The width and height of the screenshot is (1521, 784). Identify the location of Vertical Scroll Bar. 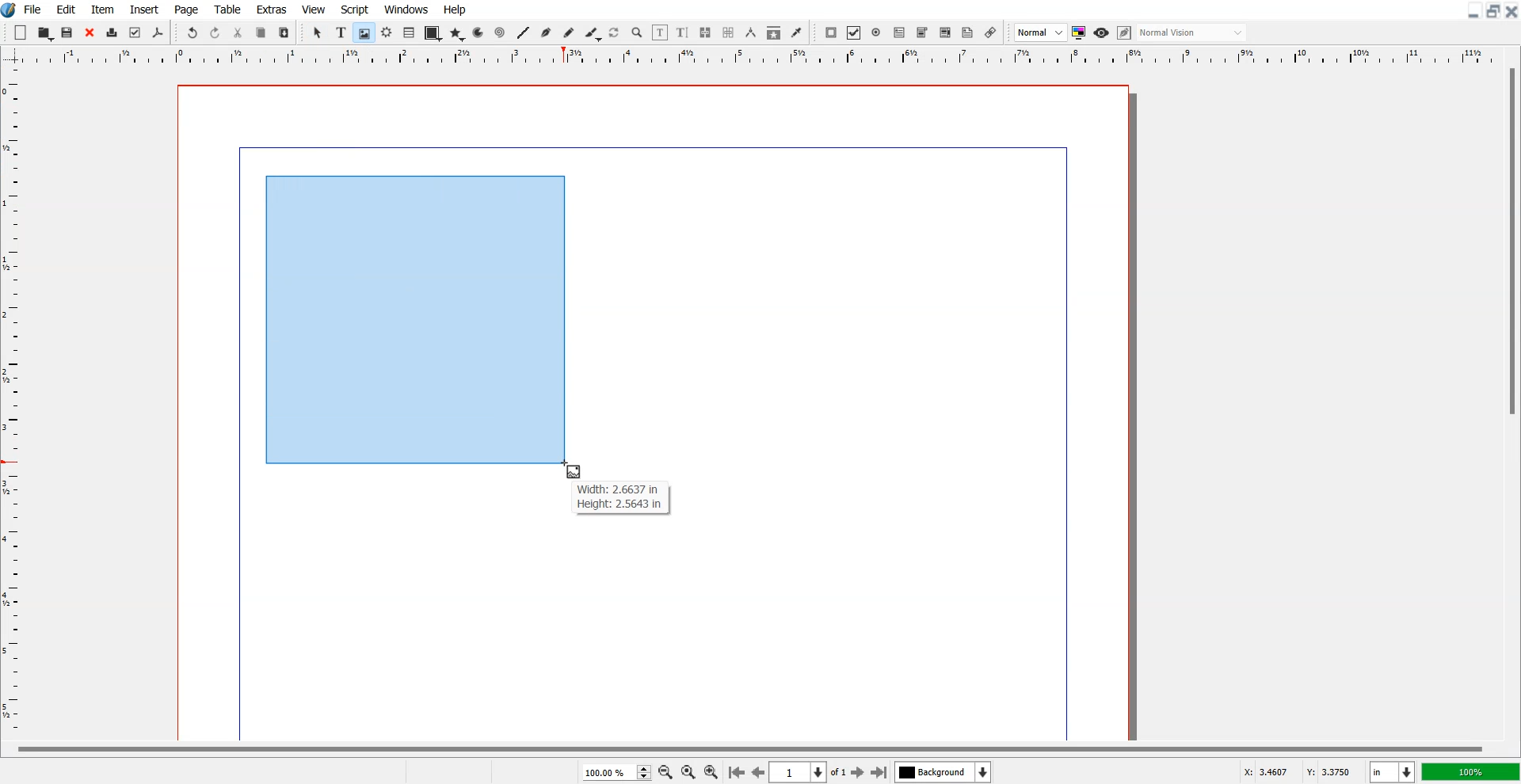
(1510, 401).